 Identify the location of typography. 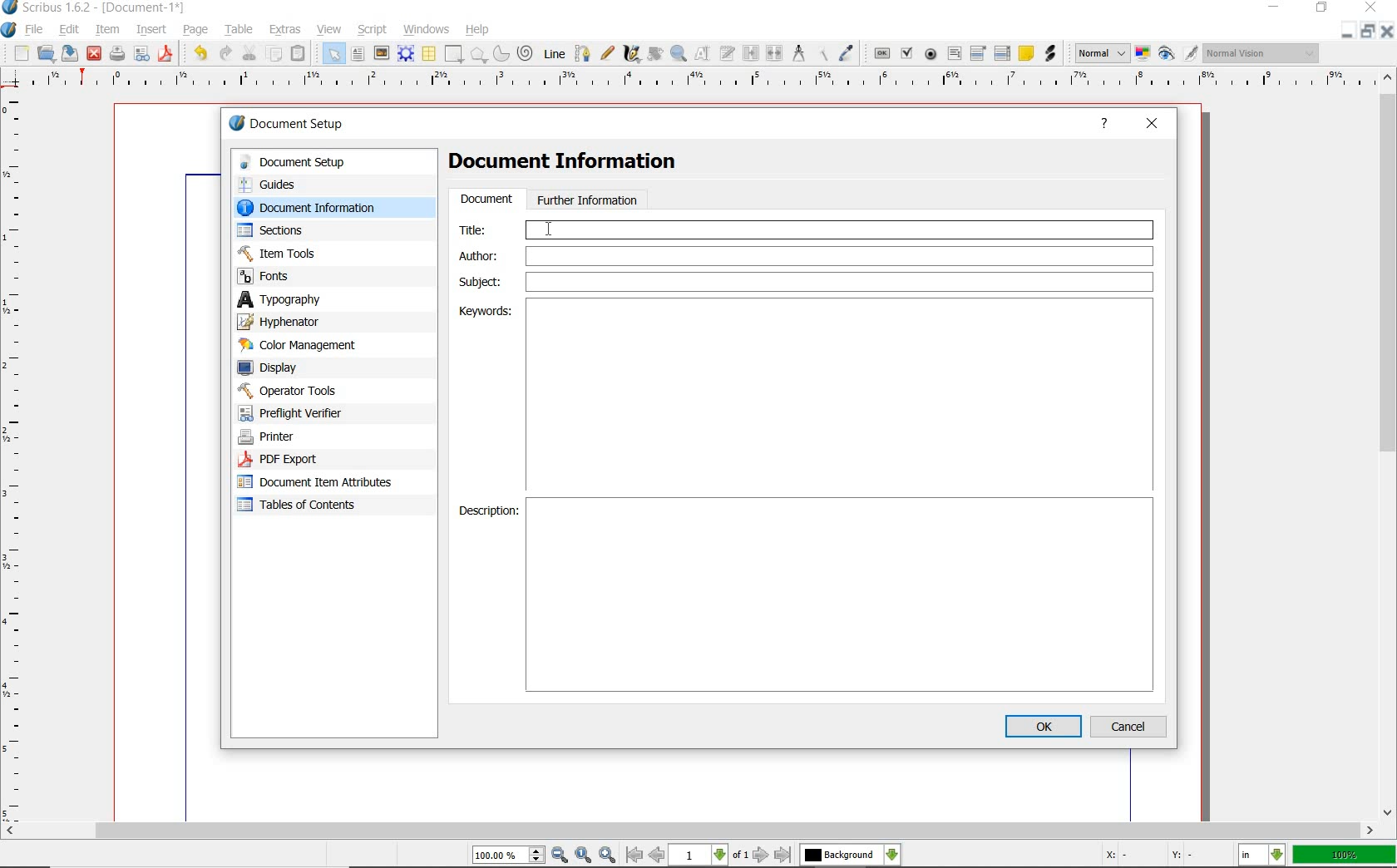
(303, 299).